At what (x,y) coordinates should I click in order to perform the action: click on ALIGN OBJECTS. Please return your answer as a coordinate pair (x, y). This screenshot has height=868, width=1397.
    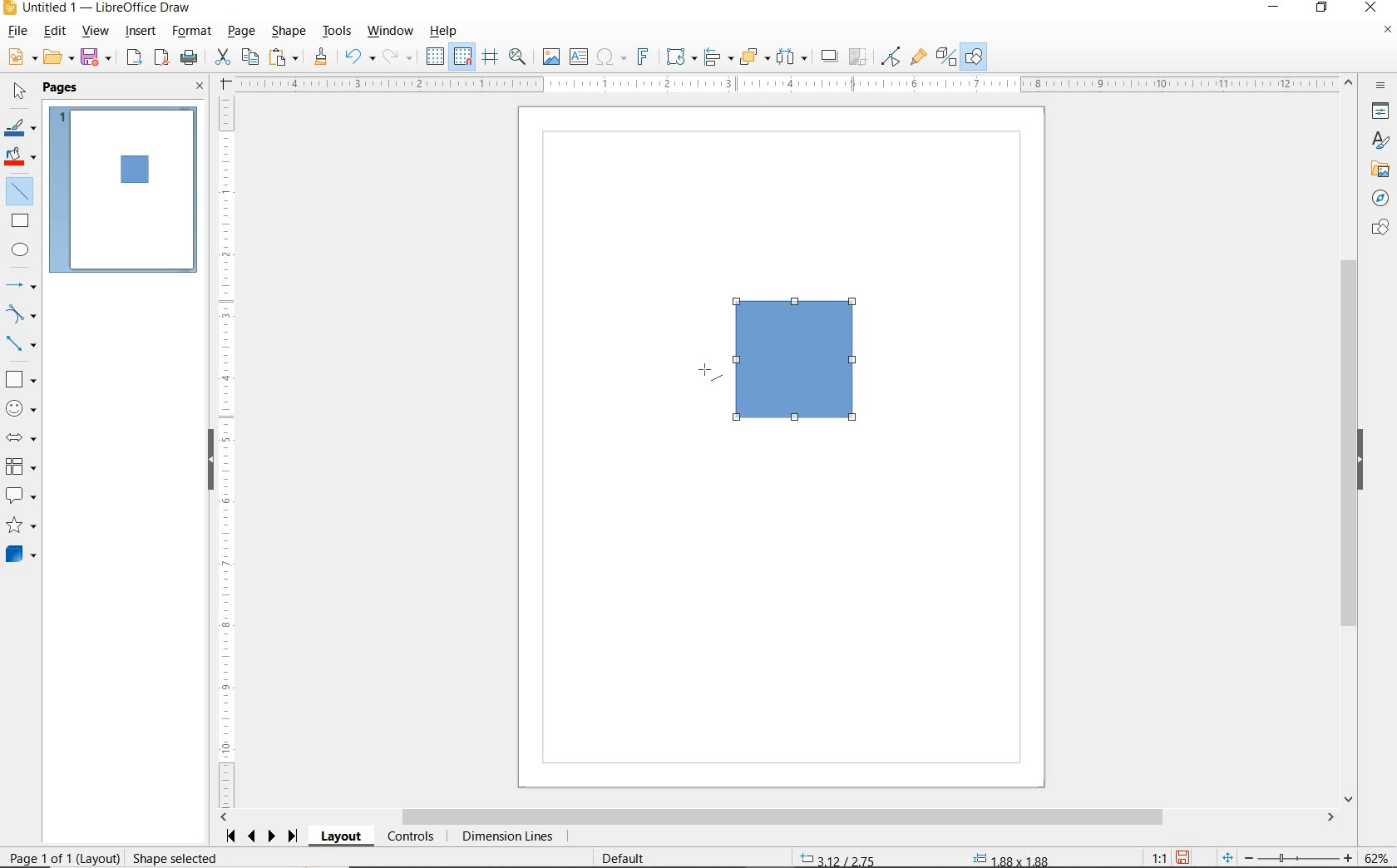
    Looking at the image, I should click on (718, 57).